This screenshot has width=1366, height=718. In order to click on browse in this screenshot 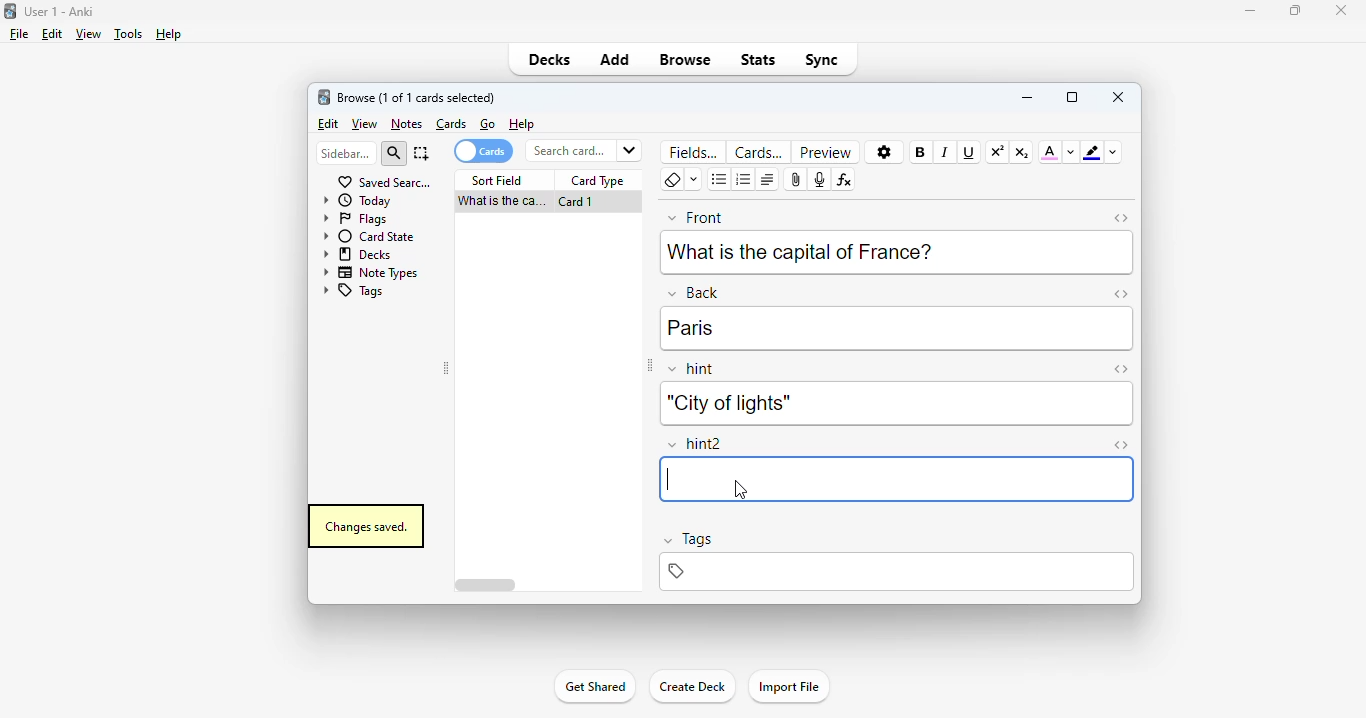, I will do `click(685, 59)`.